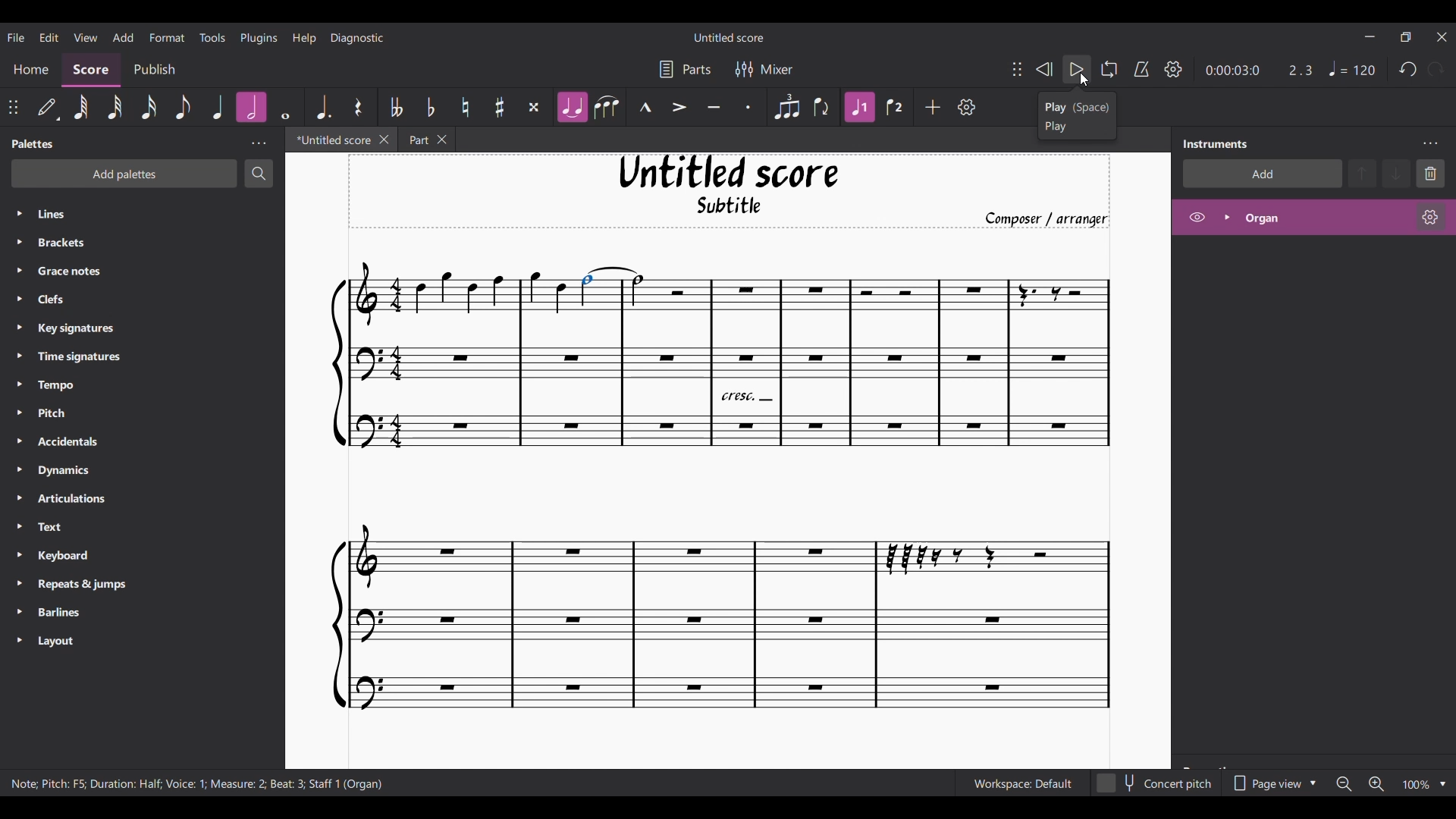 Image resolution: width=1456 pixels, height=819 pixels. I want to click on Slur, so click(607, 107).